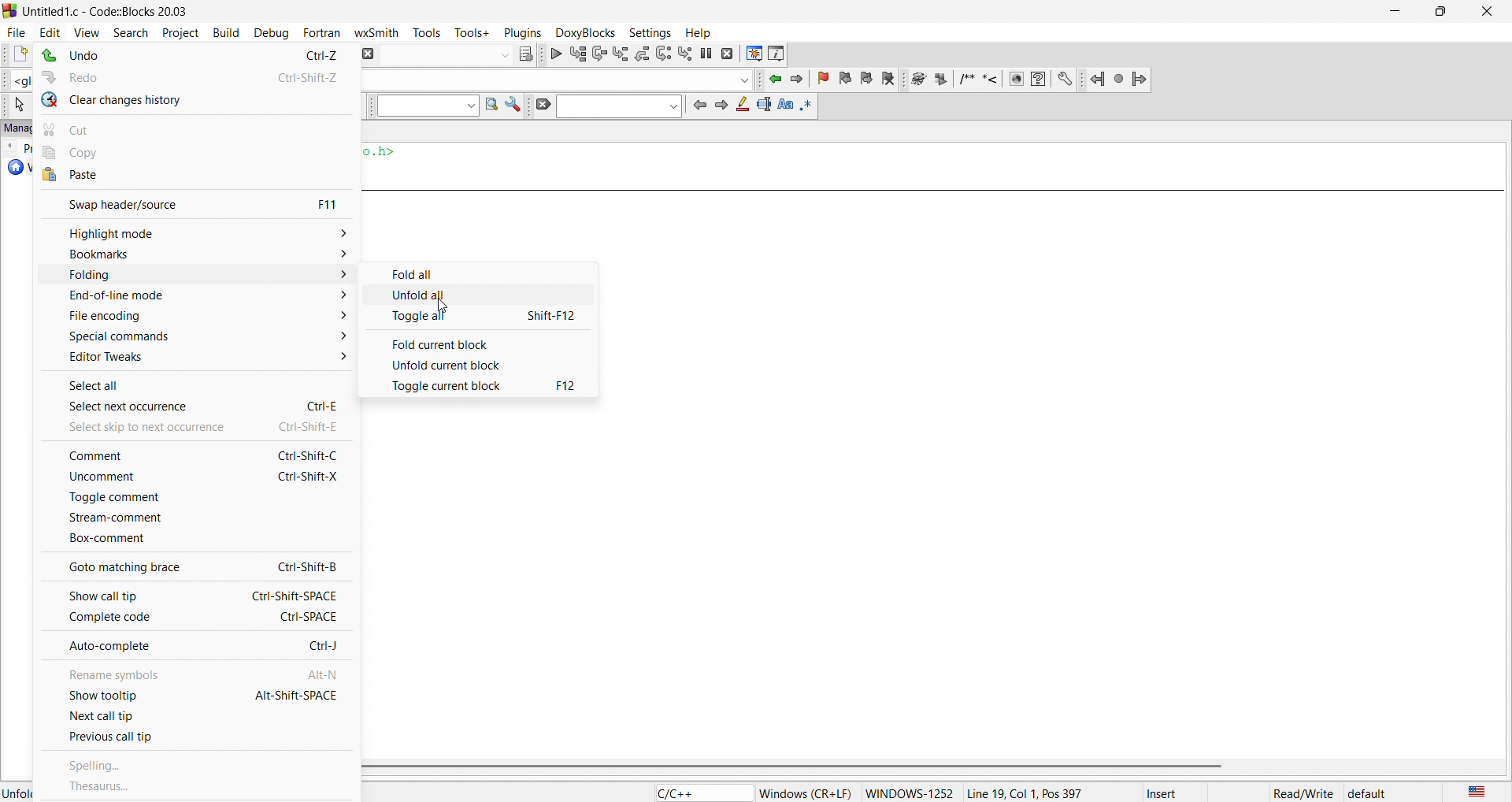  Describe the element at coordinates (480, 272) in the screenshot. I see `` at that location.